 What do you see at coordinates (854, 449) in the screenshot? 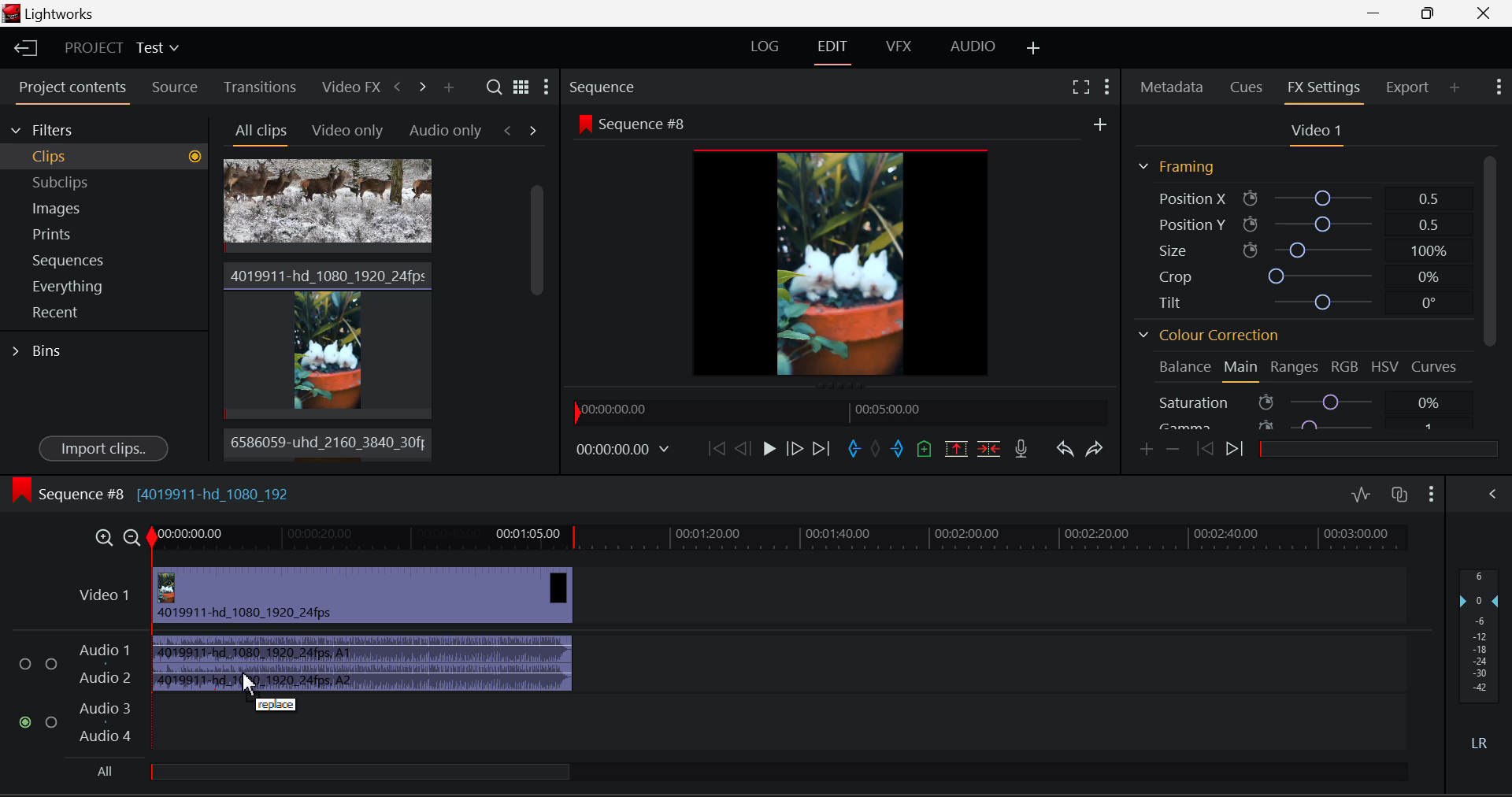
I see `Mark In` at bounding box center [854, 449].